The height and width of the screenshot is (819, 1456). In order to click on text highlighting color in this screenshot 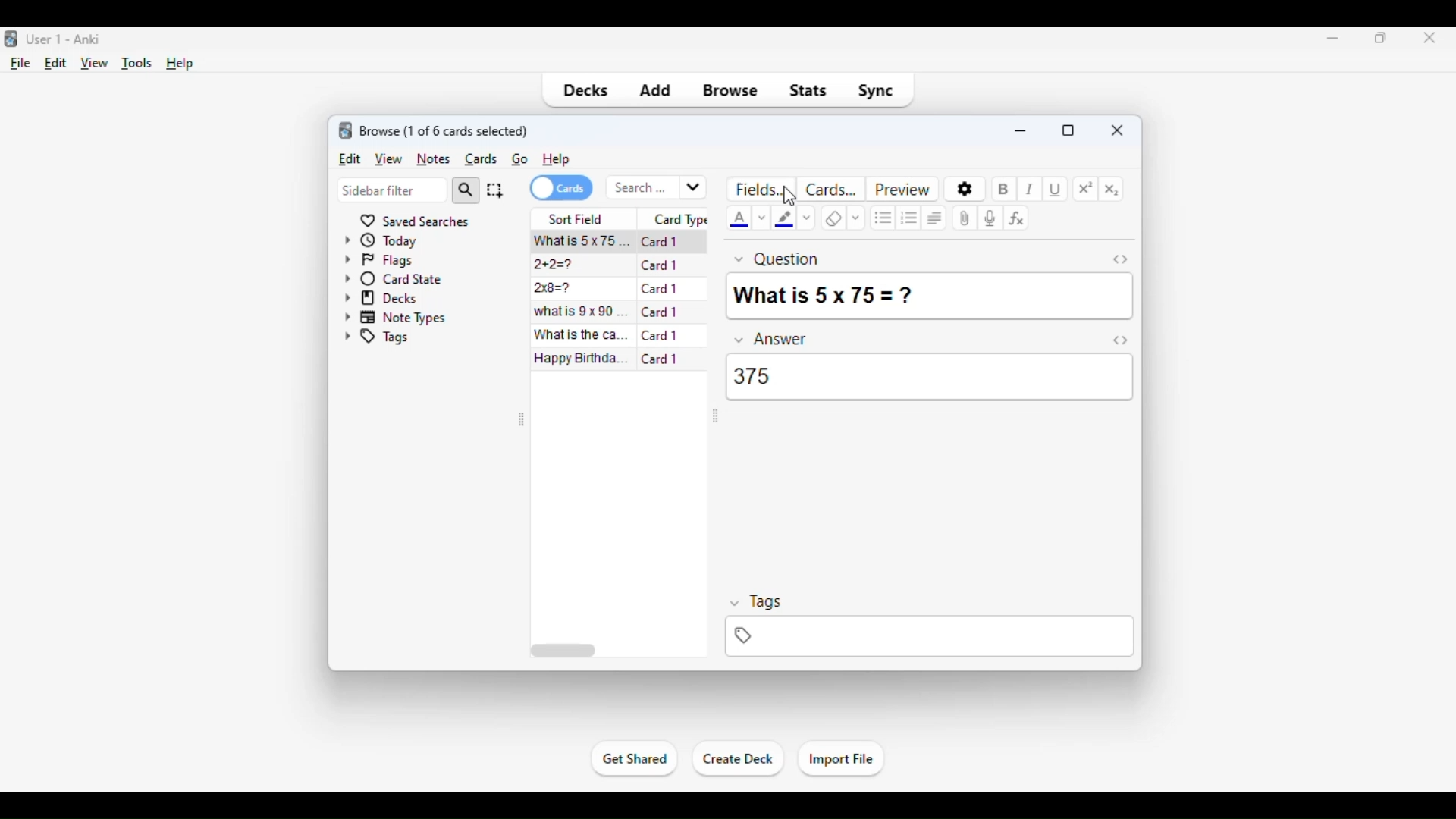, I will do `click(784, 218)`.